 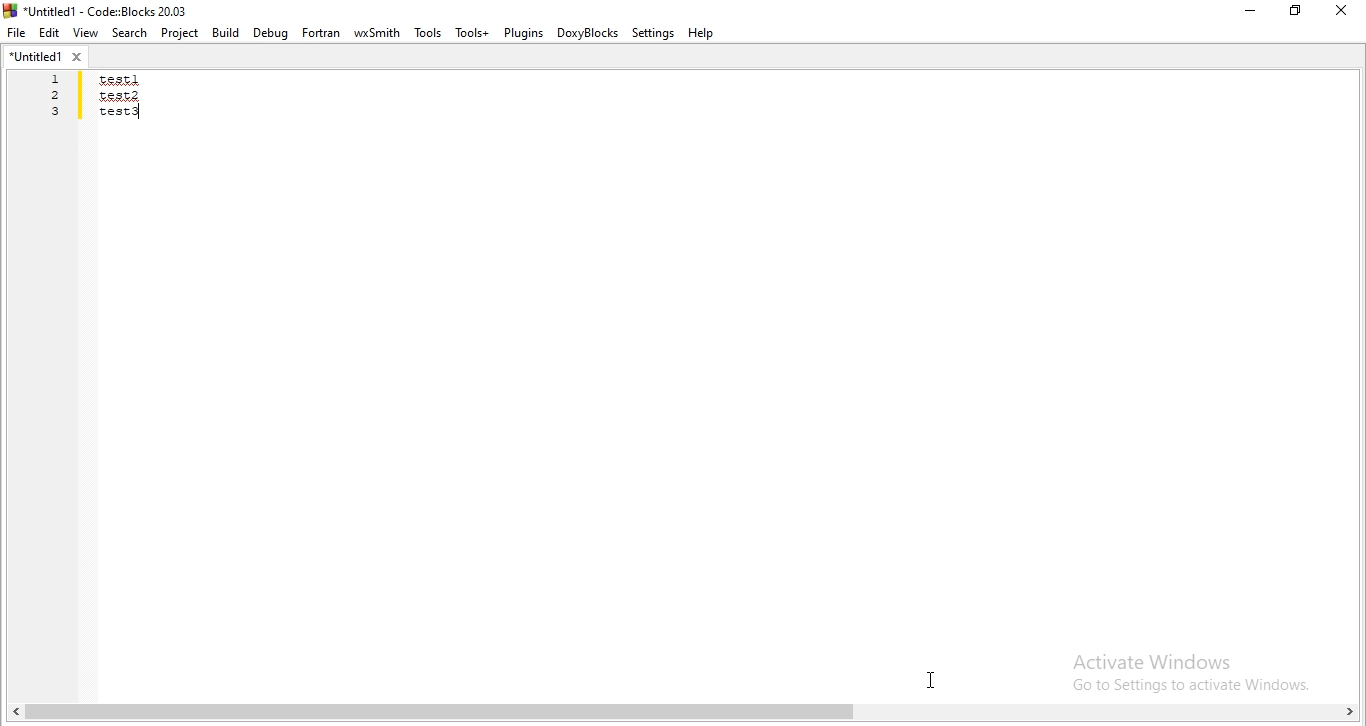 What do you see at coordinates (522, 33) in the screenshot?
I see `Plugins ` at bounding box center [522, 33].